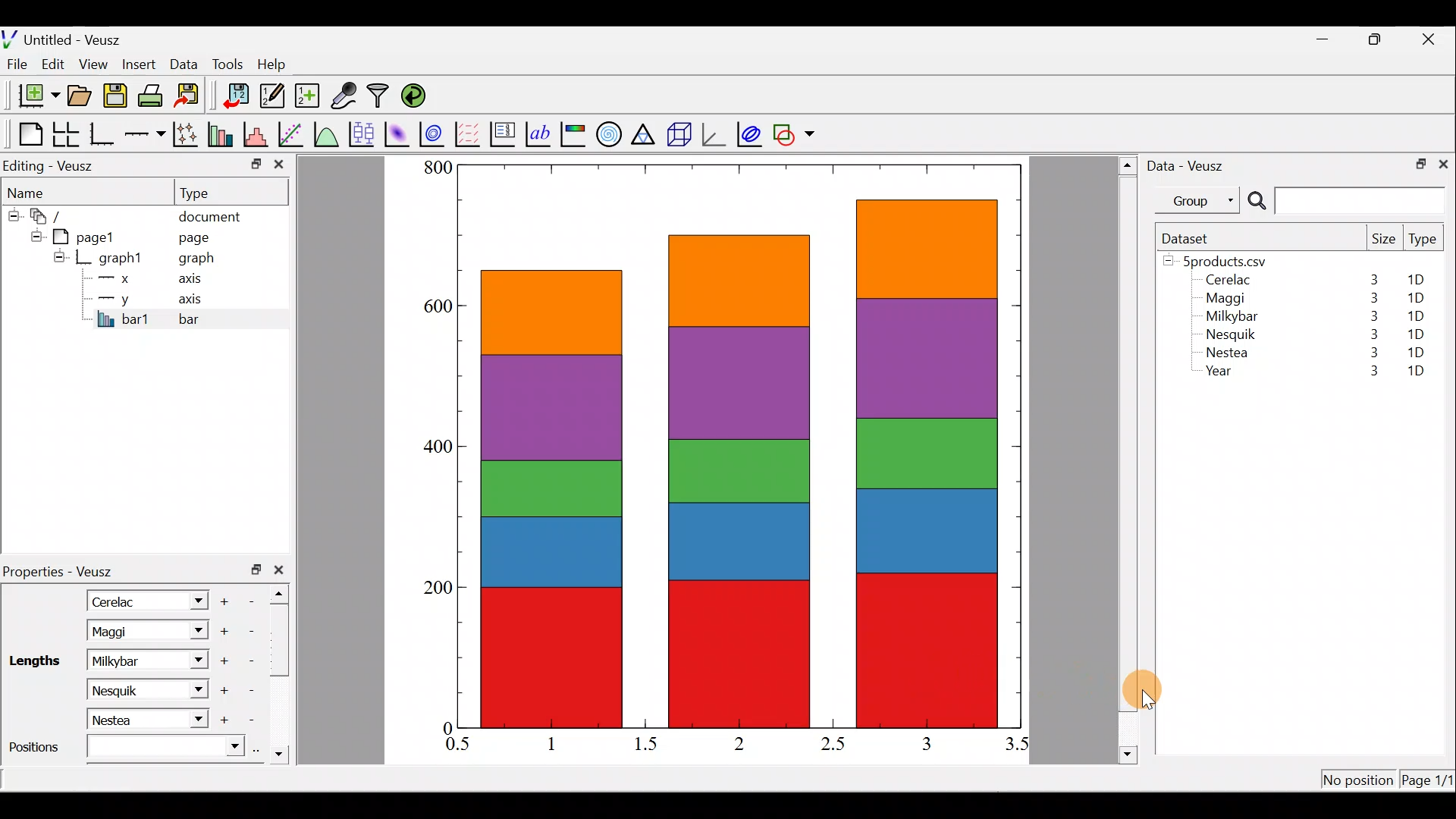 This screenshot has width=1456, height=819. I want to click on Maggi, so click(1227, 300).